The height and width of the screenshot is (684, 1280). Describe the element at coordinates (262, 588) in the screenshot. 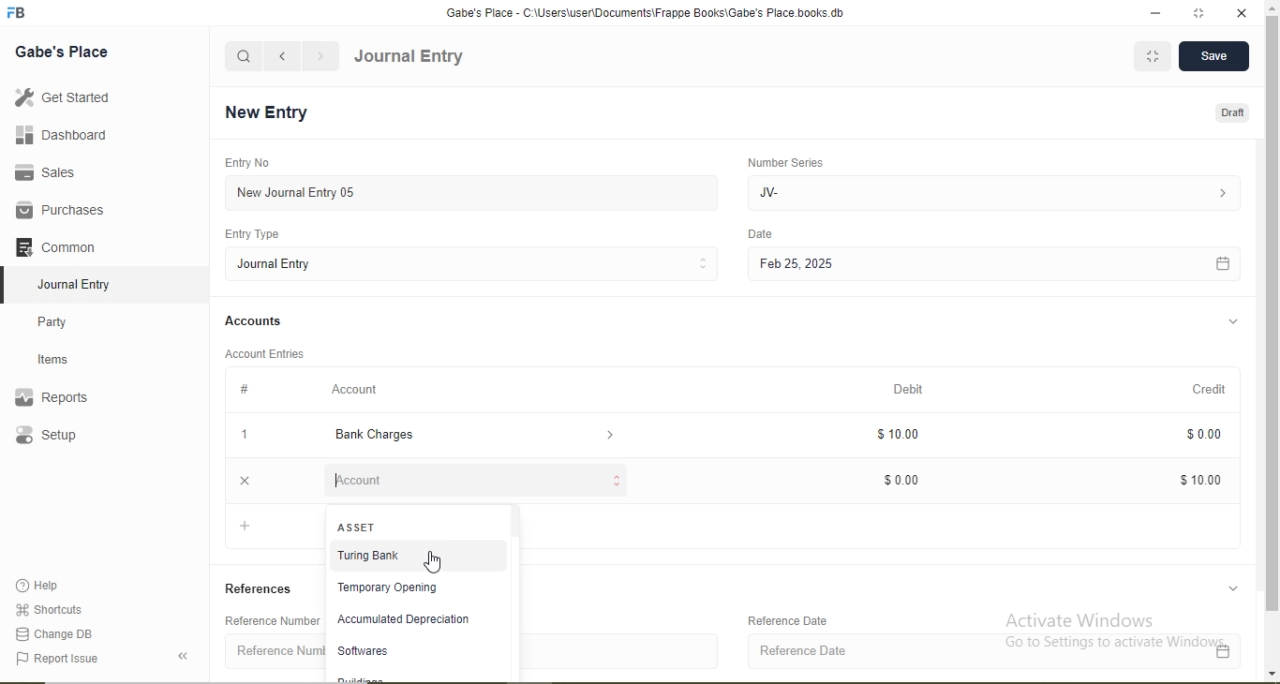

I see `References.` at that location.